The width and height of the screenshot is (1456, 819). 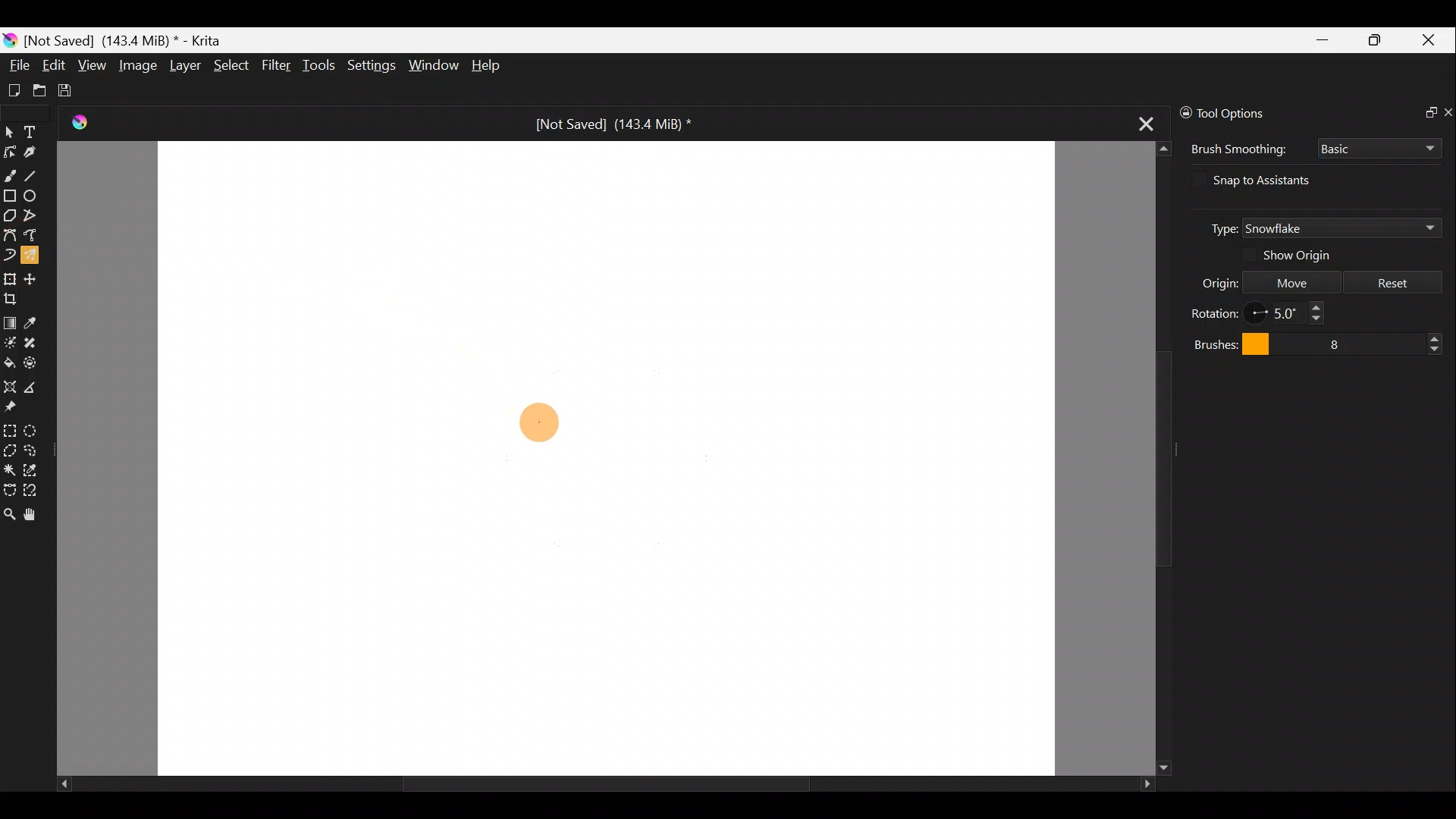 What do you see at coordinates (9, 428) in the screenshot?
I see `Rectangular selection tool` at bounding box center [9, 428].